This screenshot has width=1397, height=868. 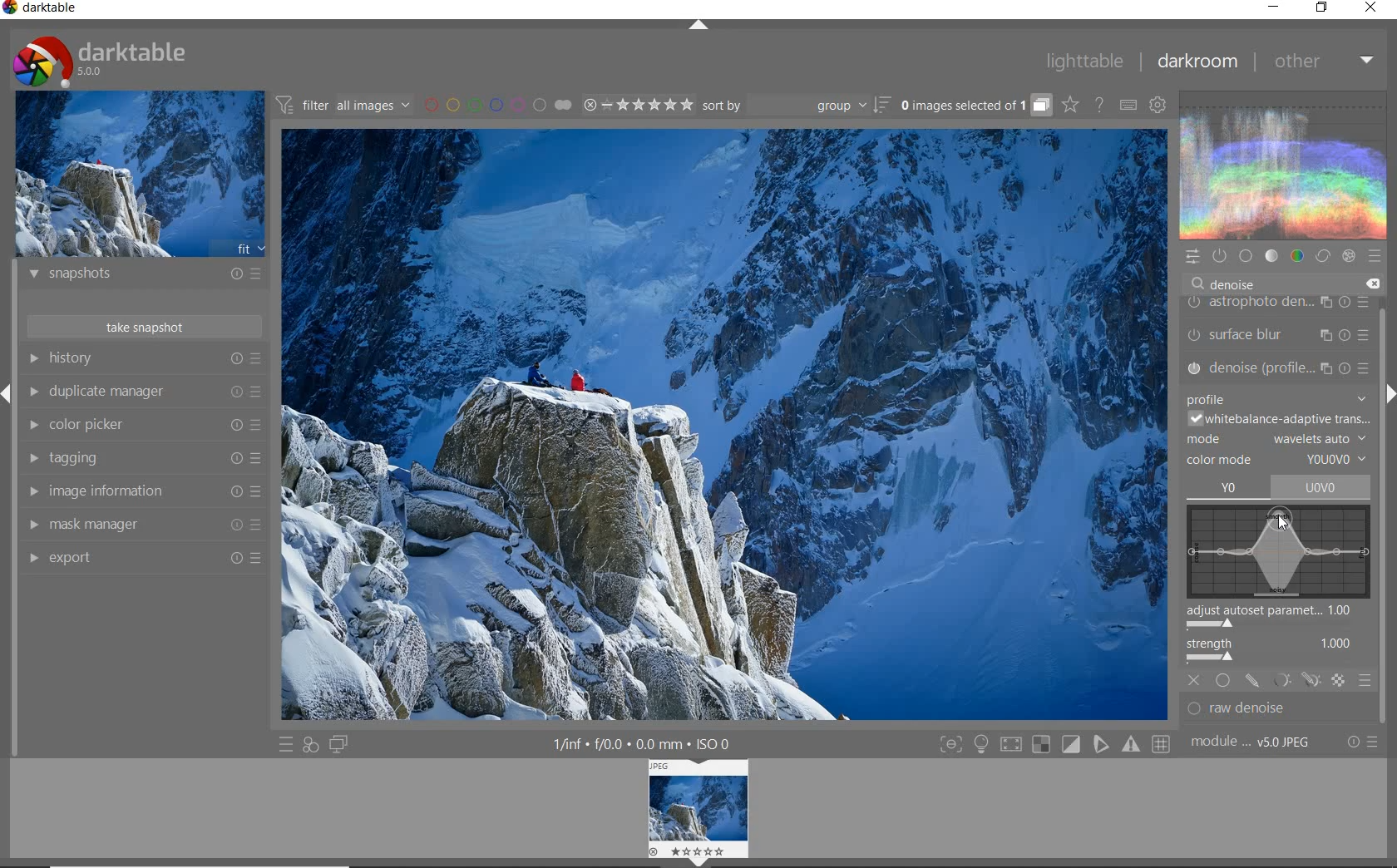 What do you see at coordinates (1383, 448) in the screenshot?
I see `scrollbar` at bounding box center [1383, 448].